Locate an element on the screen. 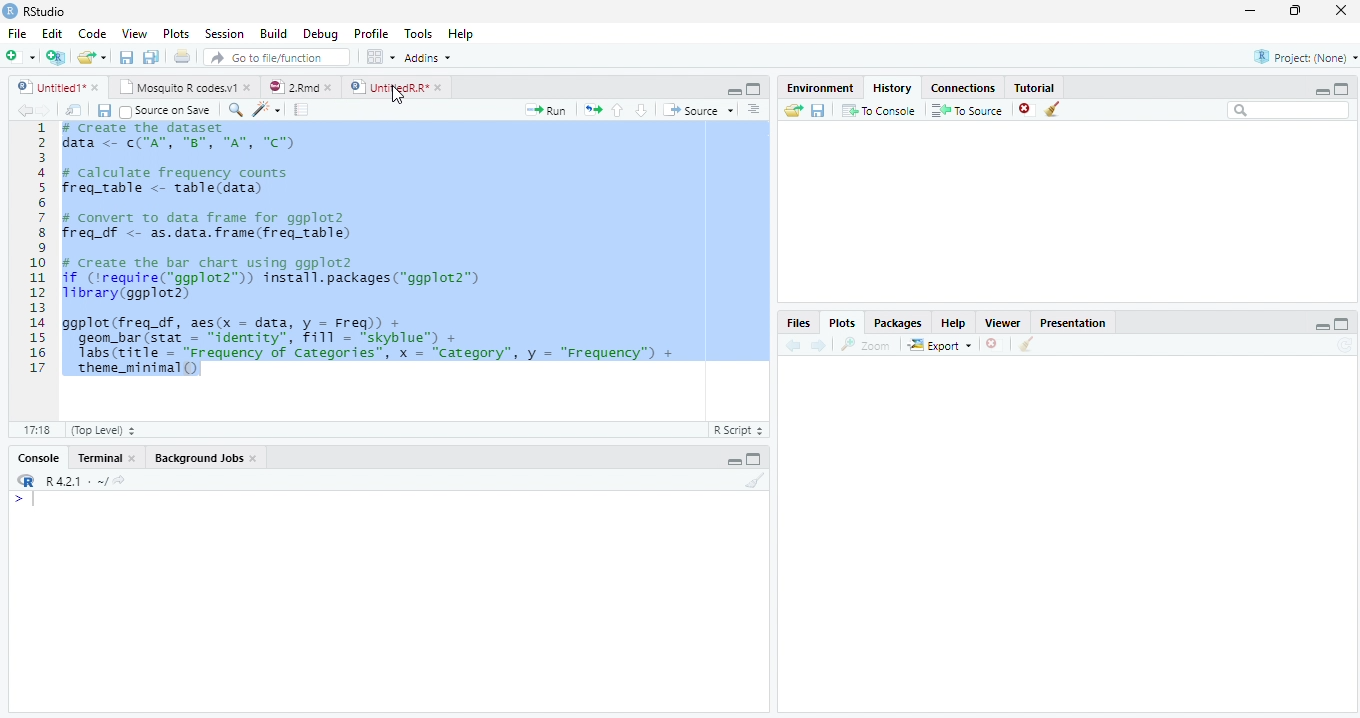  Minimize is located at coordinates (734, 461).